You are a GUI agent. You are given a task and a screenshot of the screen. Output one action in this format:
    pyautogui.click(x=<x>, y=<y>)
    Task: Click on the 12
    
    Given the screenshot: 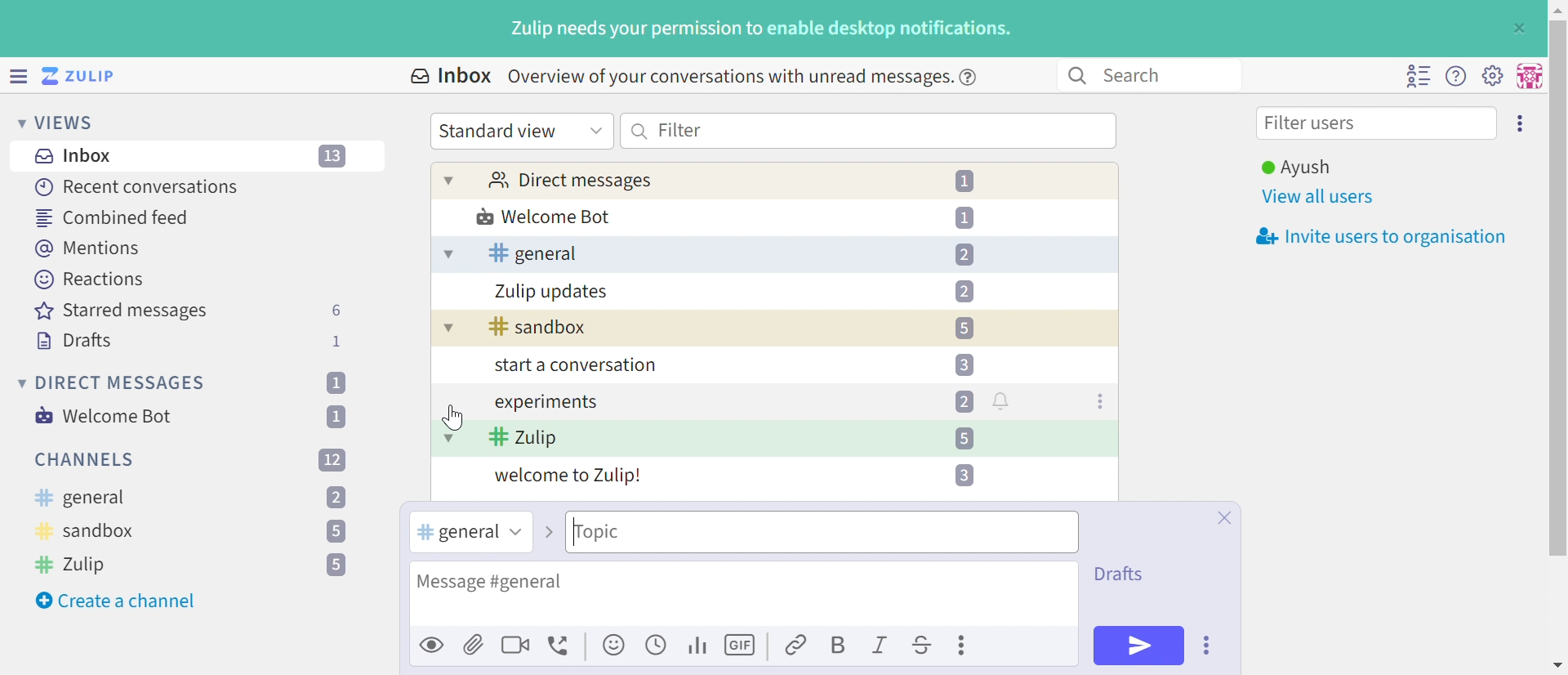 What is the action you would take?
    pyautogui.click(x=332, y=458)
    